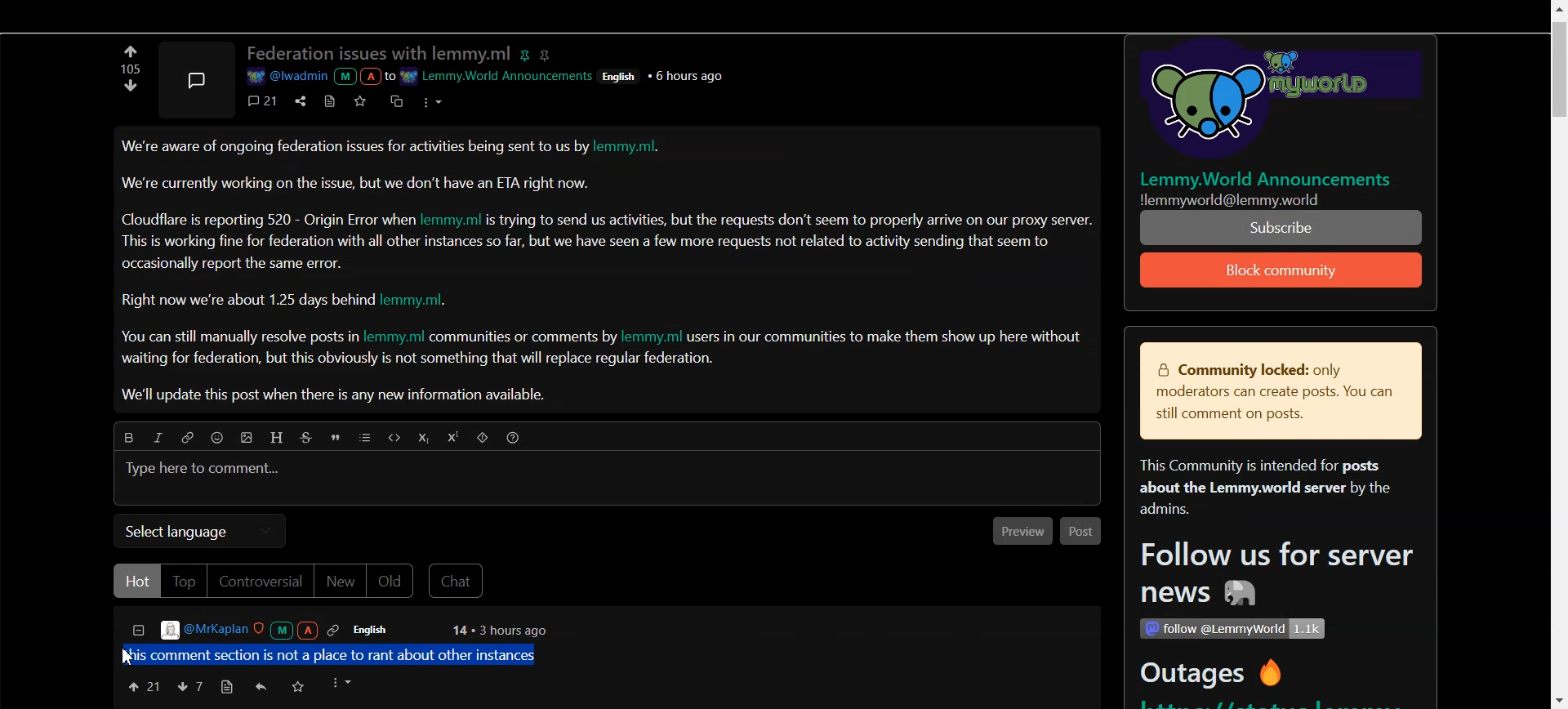 The width and height of the screenshot is (1568, 709). What do you see at coordinates (398, 100) in the screenshot?
I see `cross posts` at bounding box center [398, 100].